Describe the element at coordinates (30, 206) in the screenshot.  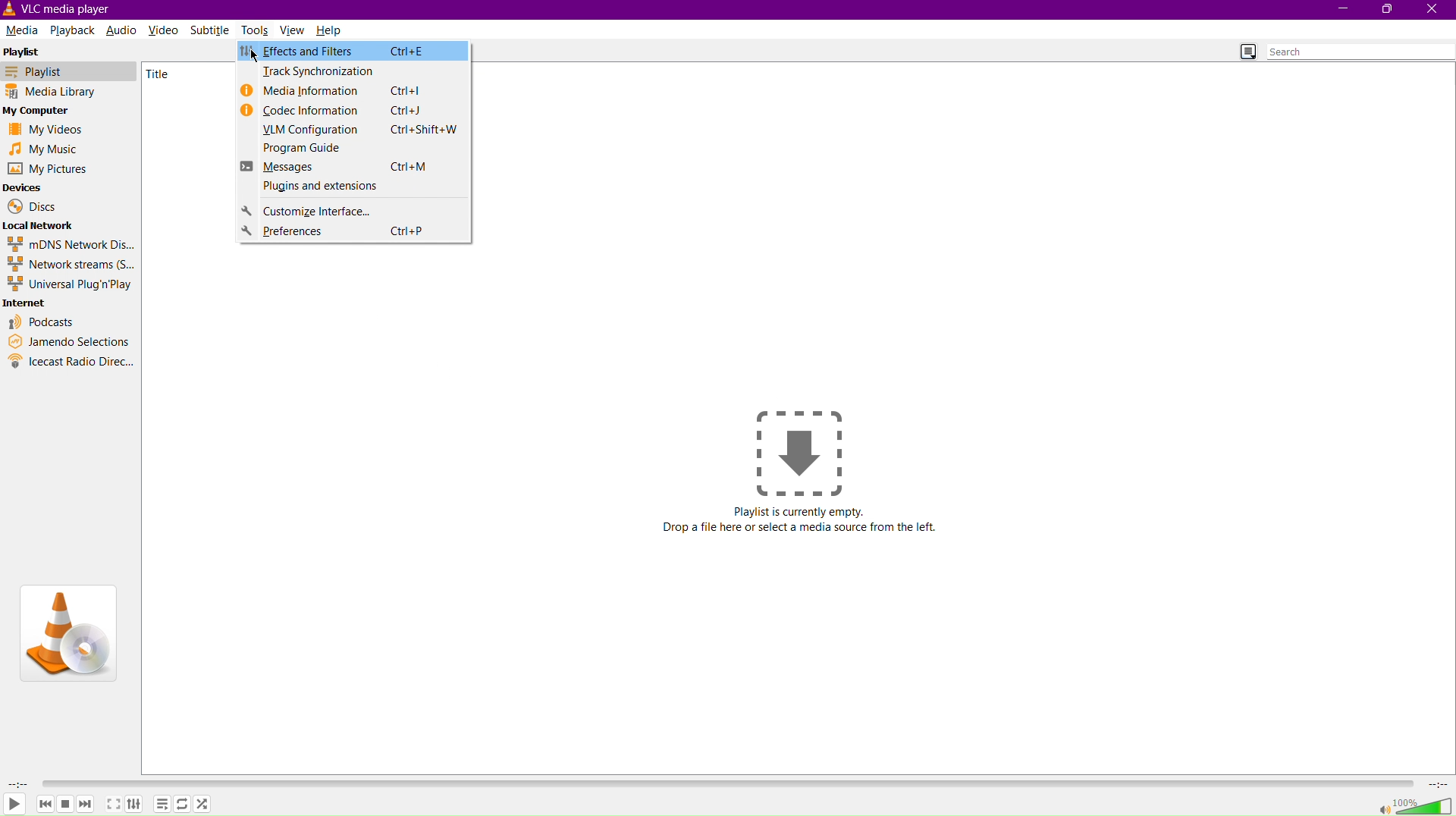
I see `Discs` at that location.